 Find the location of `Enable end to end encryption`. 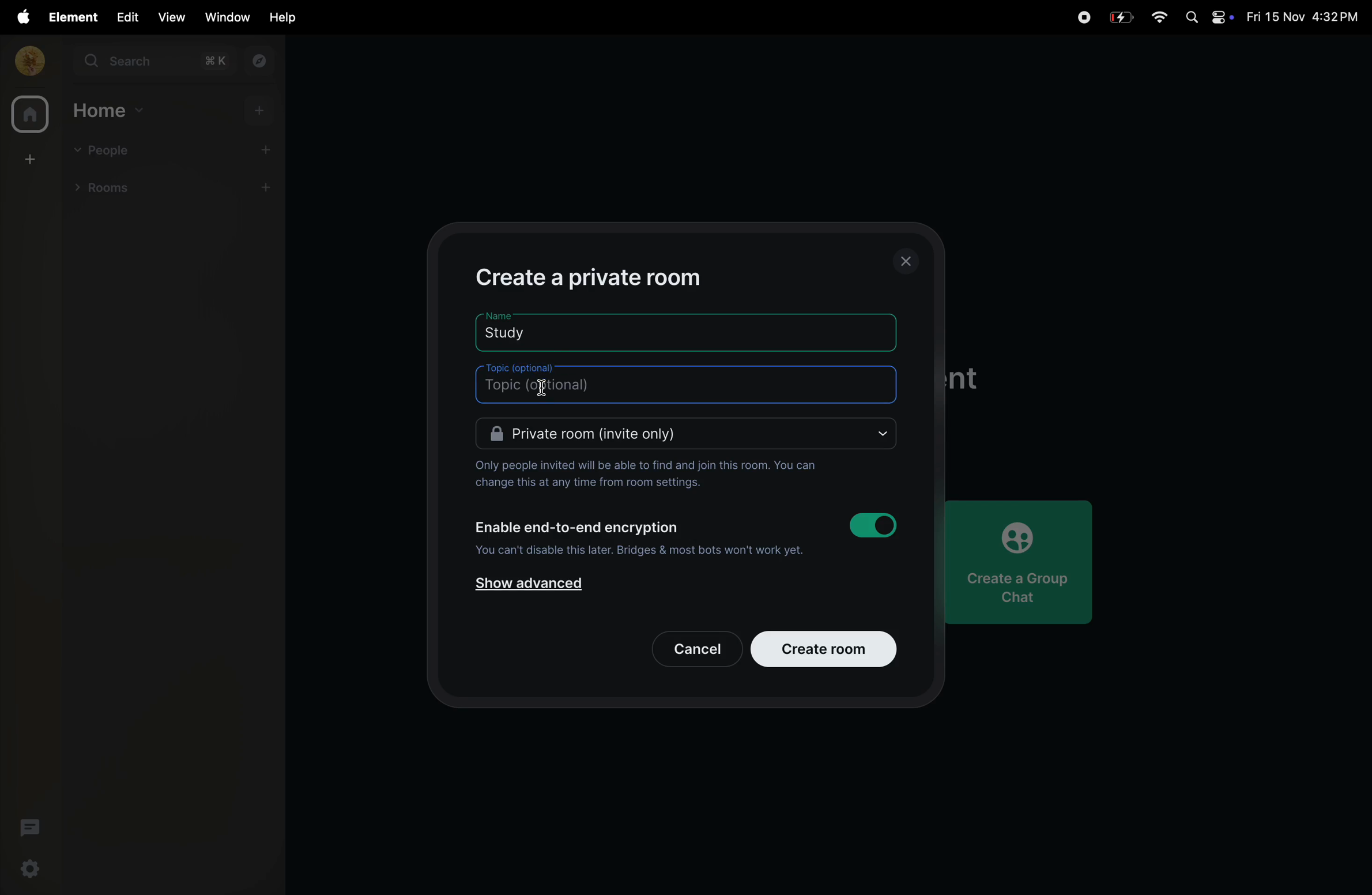

Enable end to end encryption is located at coordinates (578, 527).